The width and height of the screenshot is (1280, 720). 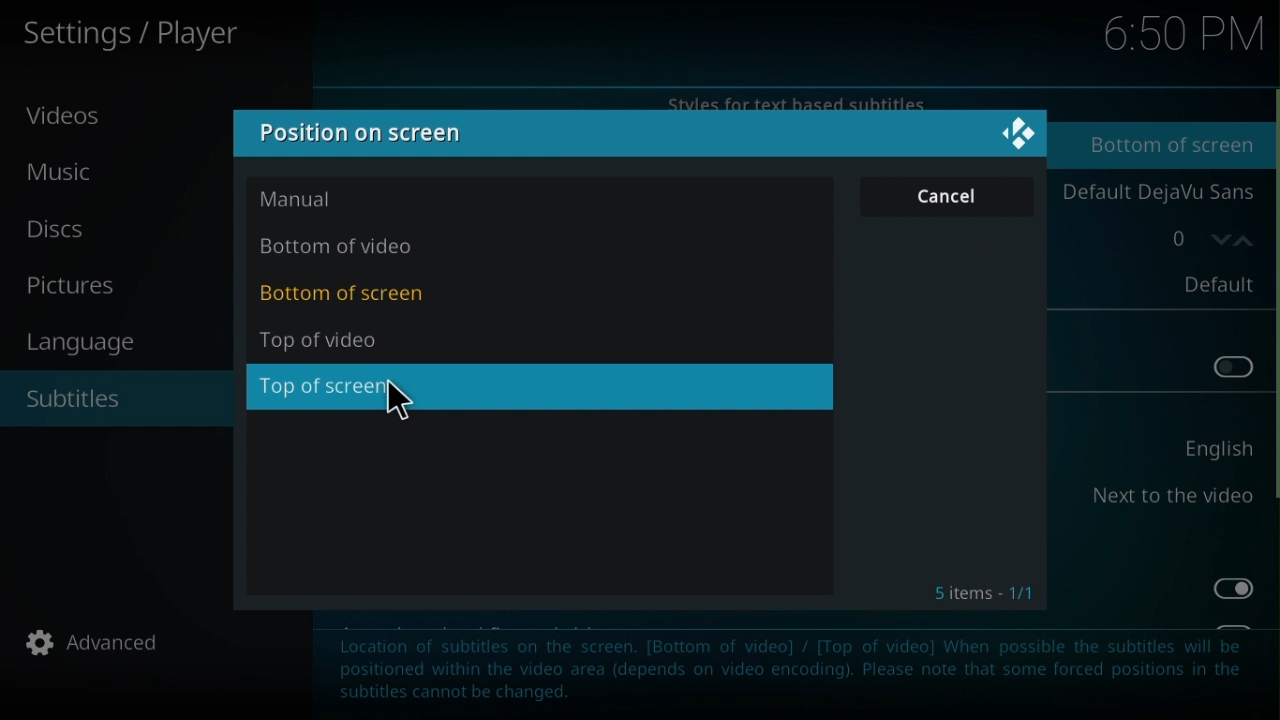 I want to click on Items, so click(x=992, y=593).